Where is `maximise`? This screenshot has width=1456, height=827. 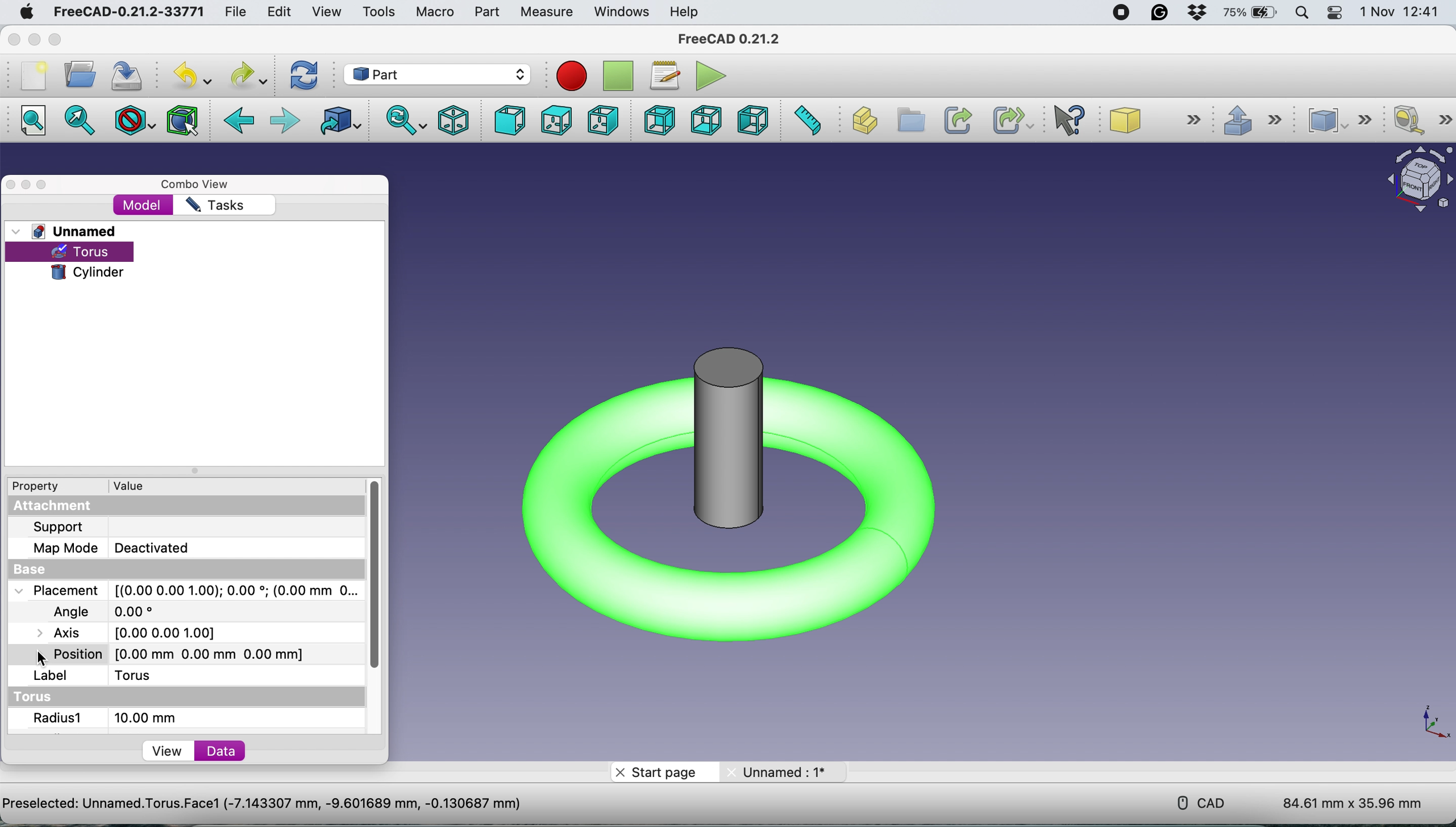 maximise is located at coordinates (57, 41).